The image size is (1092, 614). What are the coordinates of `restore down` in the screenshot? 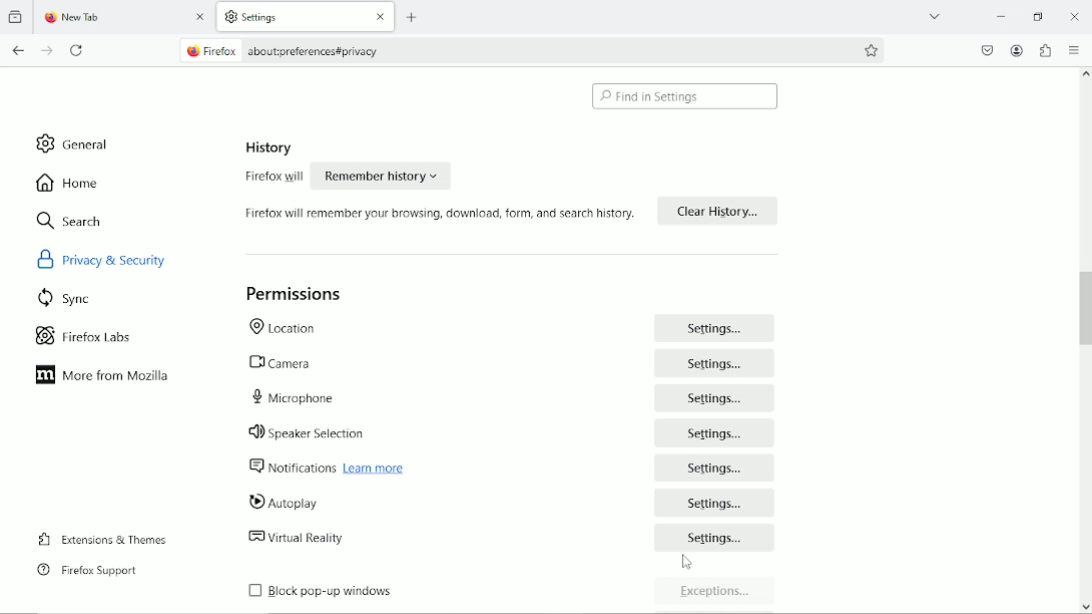 It's located at (1038, 14).